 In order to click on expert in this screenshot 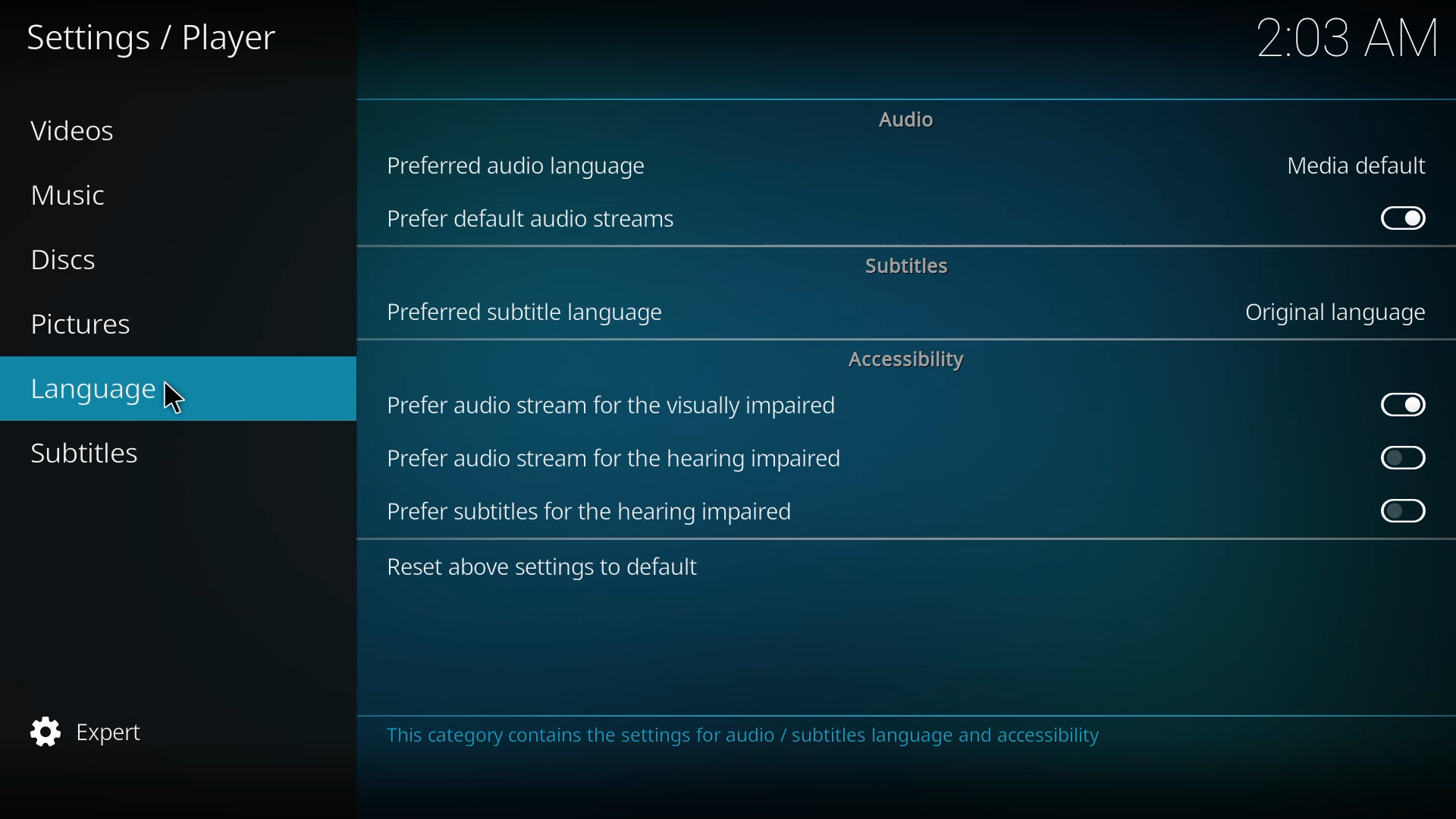, I will do `click(96, 729)`.